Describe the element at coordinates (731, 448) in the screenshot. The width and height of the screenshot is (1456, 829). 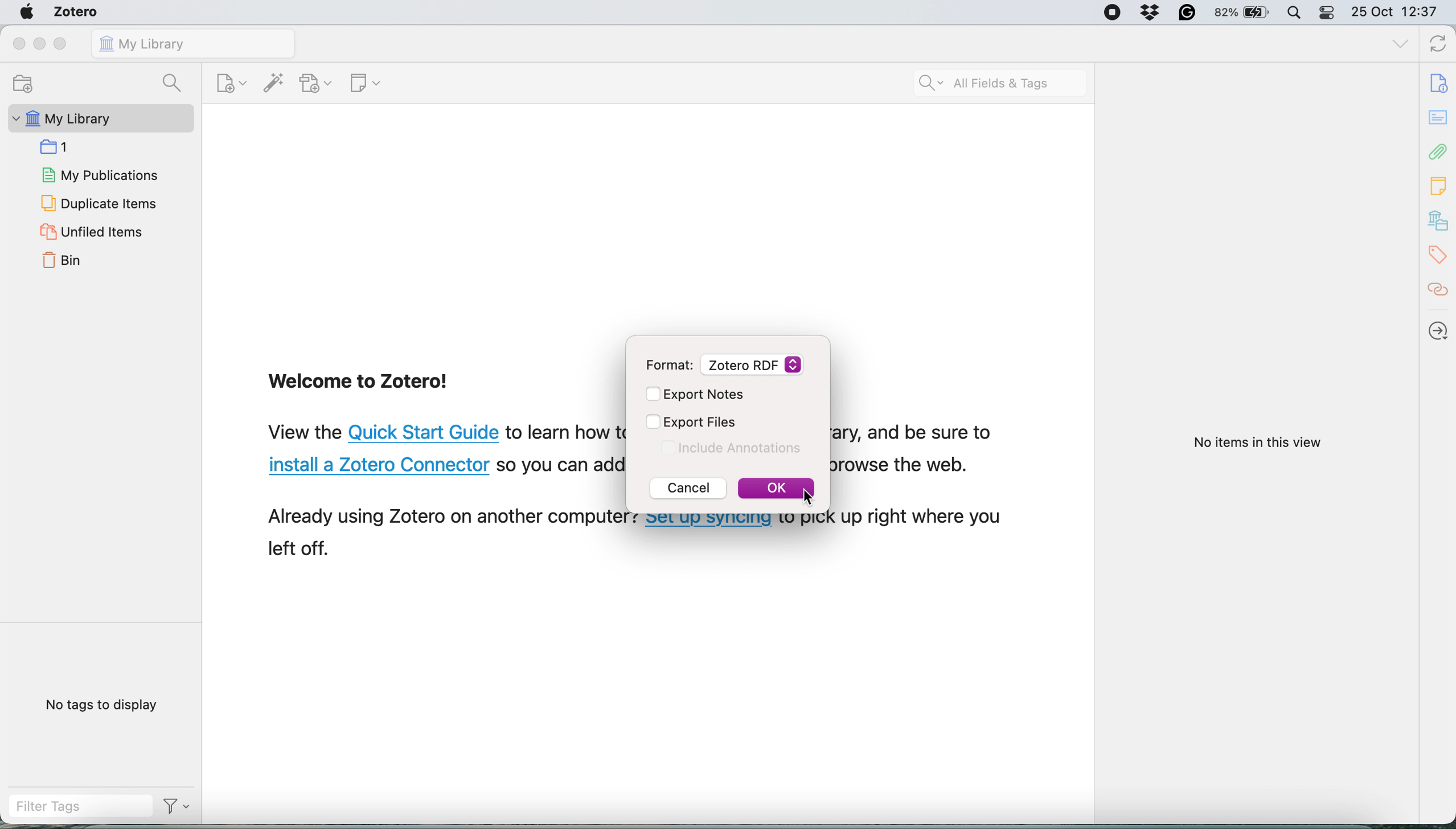
I see `Include Annotations` at that location.